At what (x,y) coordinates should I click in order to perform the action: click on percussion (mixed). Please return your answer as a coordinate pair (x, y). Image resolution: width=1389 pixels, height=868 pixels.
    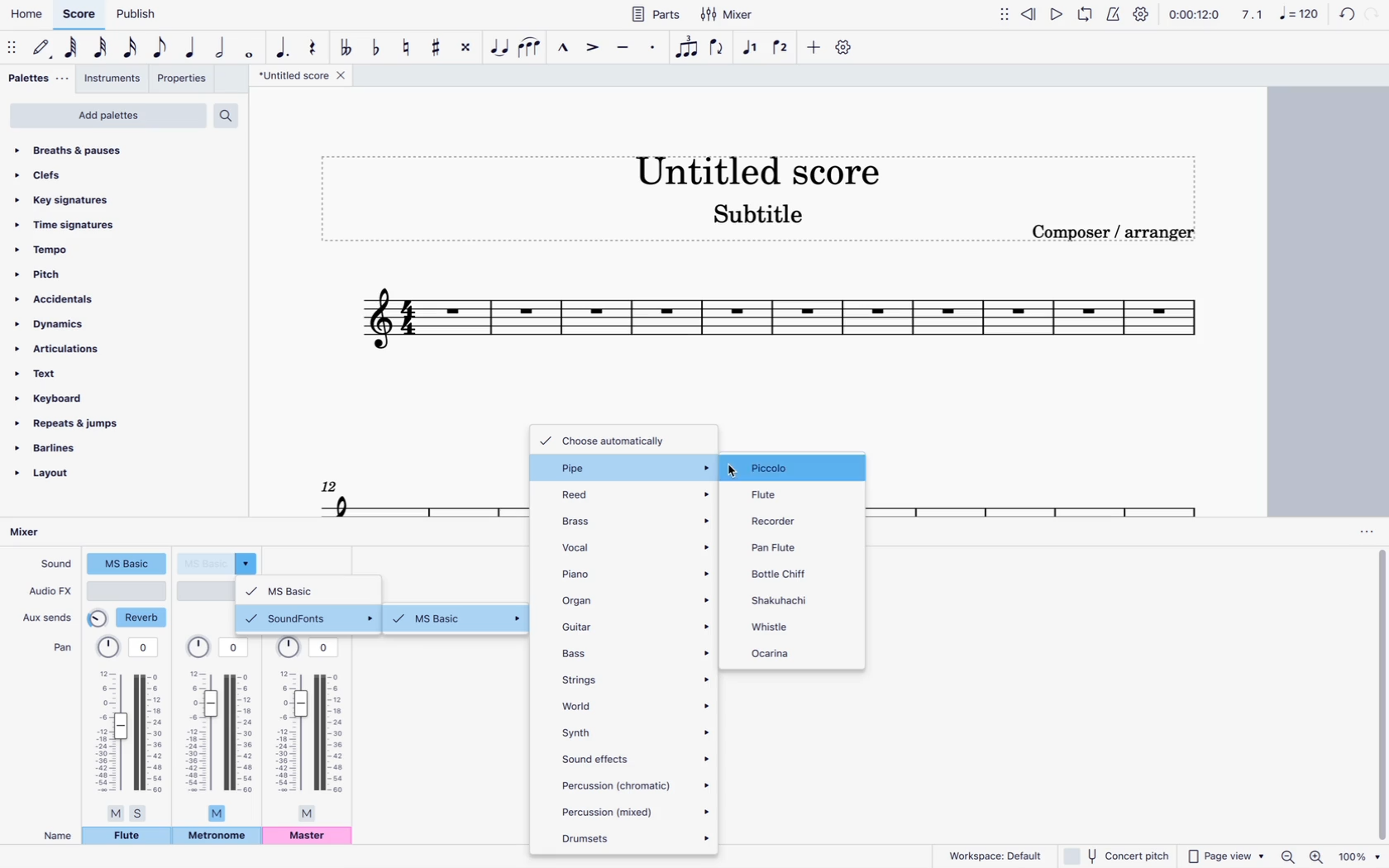
    Looking at the image, I should click on (635, 812).